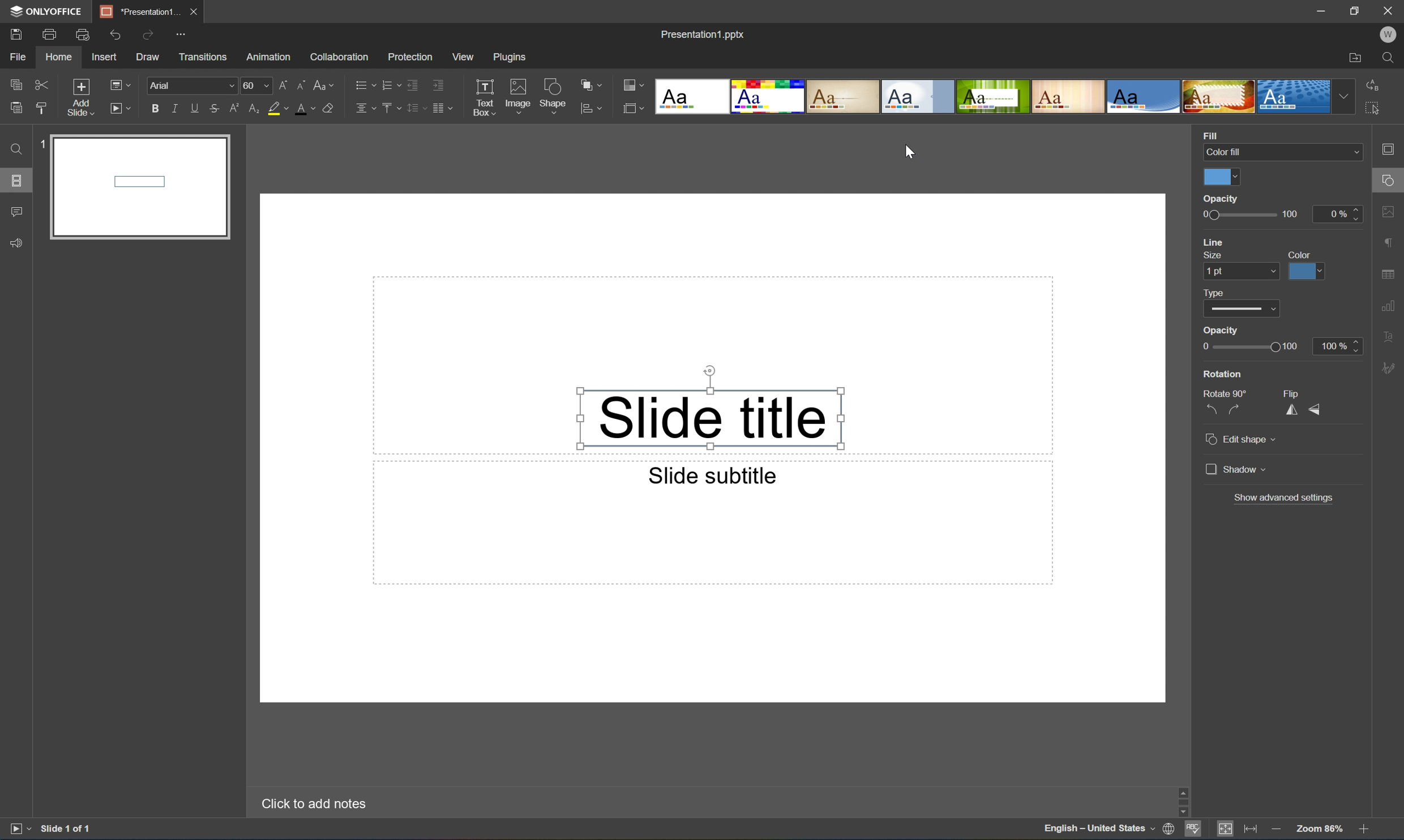 Image resolution: width=1404 pixels, height=840 pixels. Describe the element at coordinates (122, 109) in the screenshot. I see `Start slideshow` at that location.